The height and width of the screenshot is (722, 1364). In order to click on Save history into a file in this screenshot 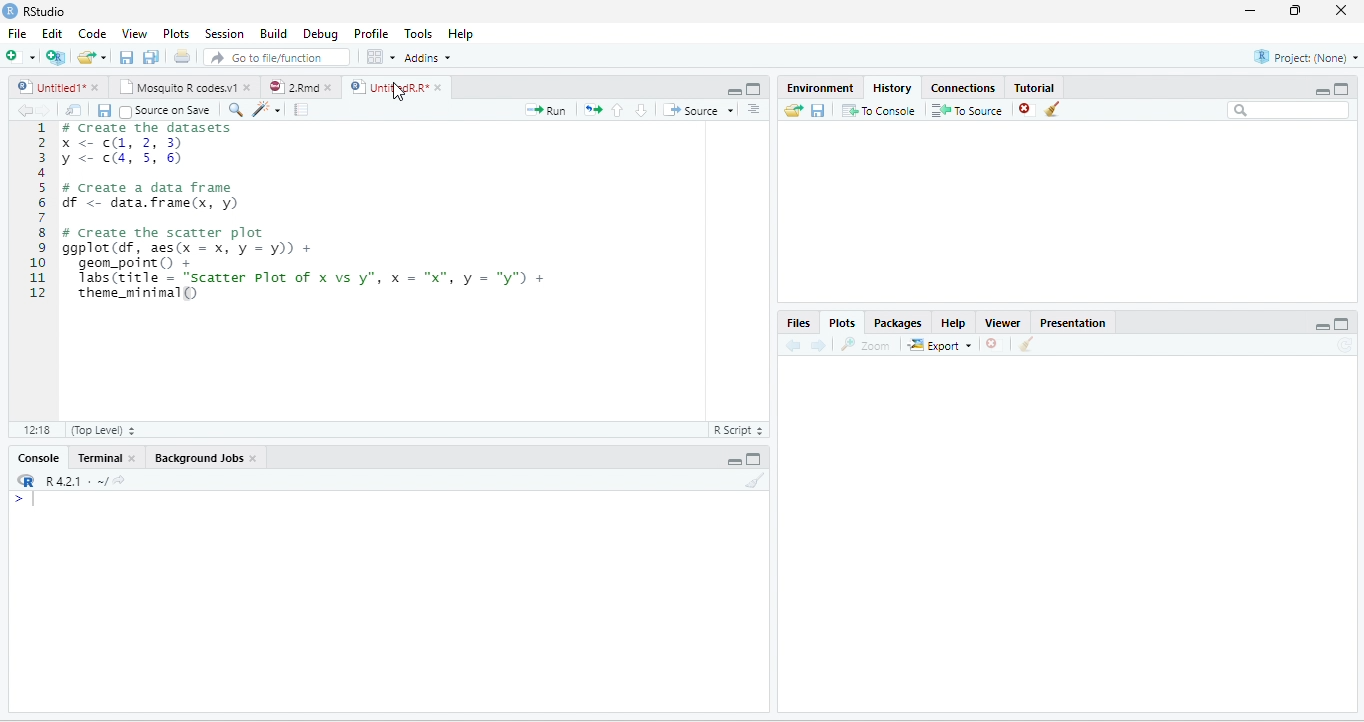, I will do `click(818, 111)`.